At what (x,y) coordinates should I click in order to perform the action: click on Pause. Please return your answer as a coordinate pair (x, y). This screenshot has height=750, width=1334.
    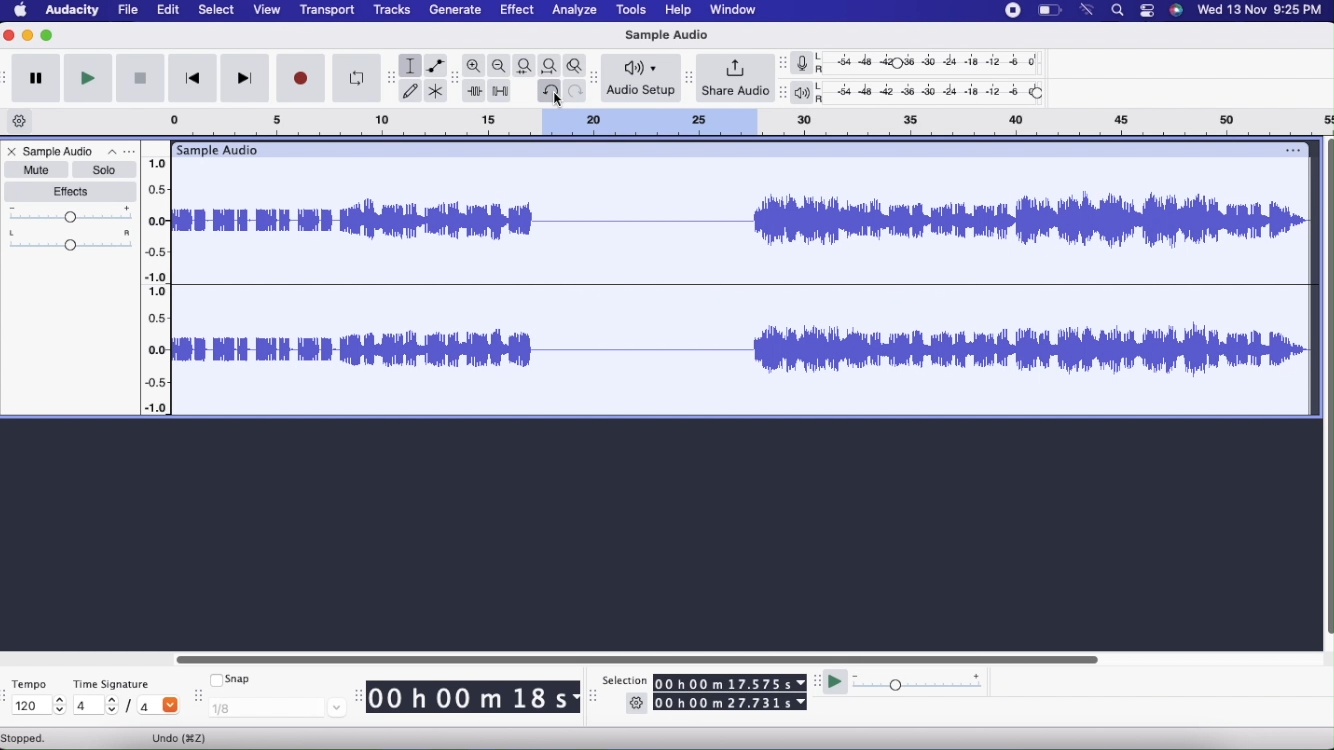
    Looking at the image, I should click on (37, 78).